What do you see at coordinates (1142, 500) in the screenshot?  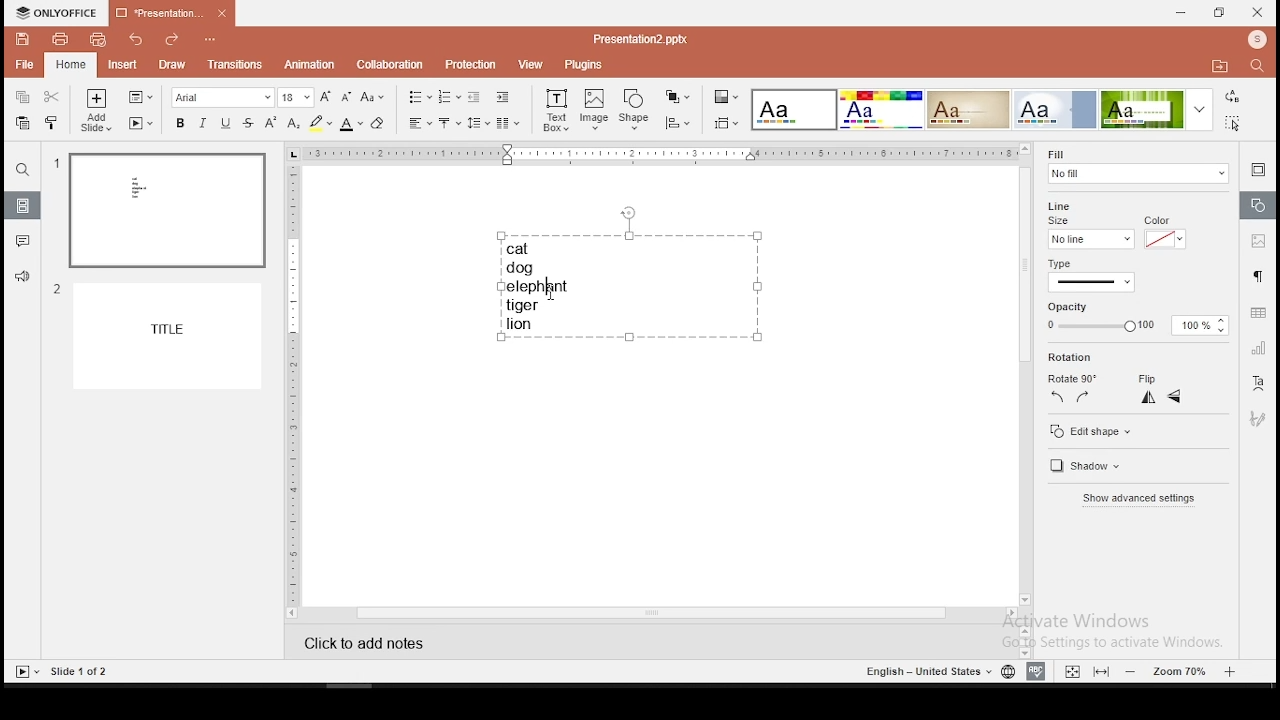 I see `Shadow` at bounding box center [1142, 500].